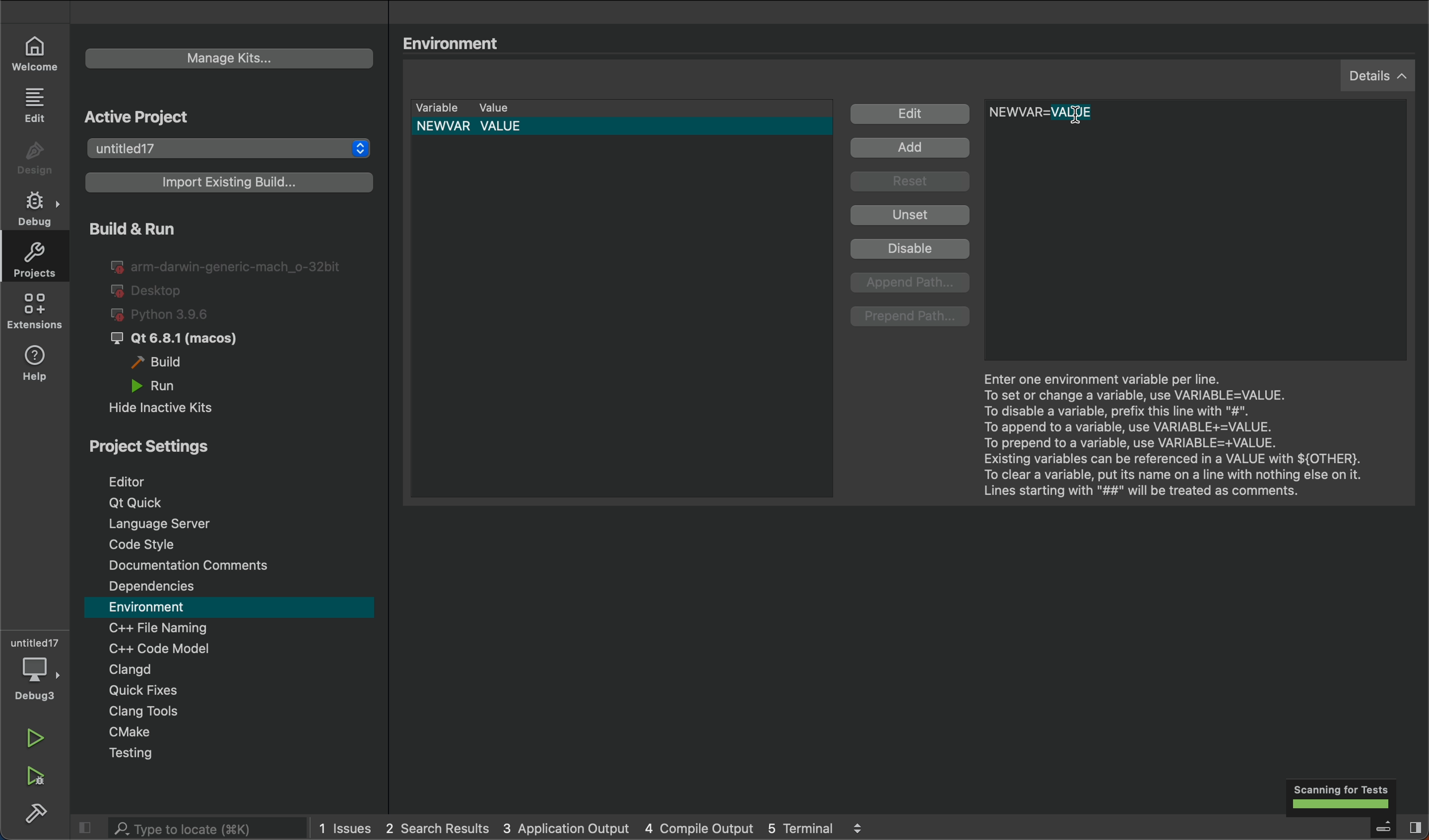  I want to click on edit, so click(39, 104).